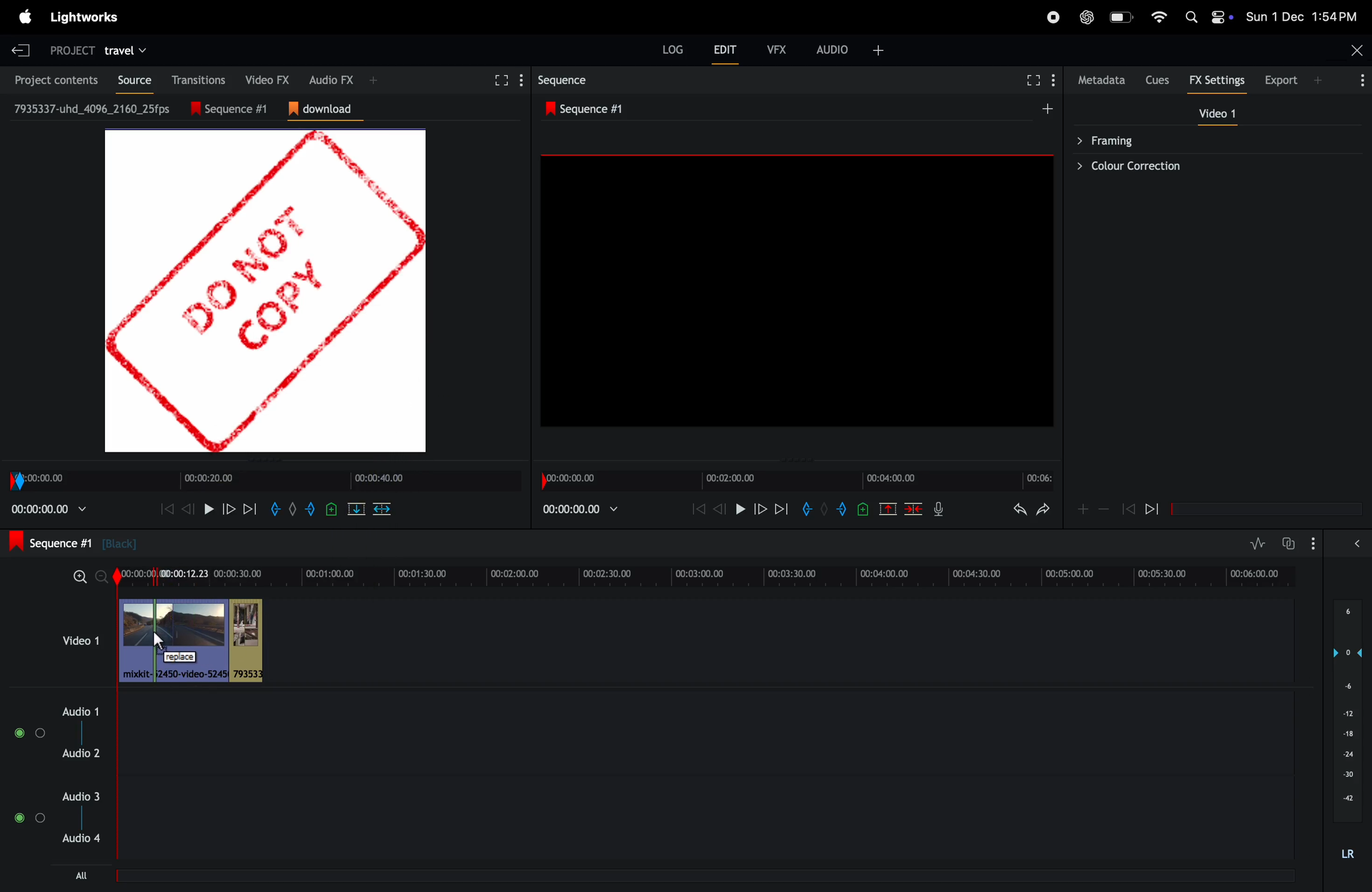  Describe the element at coordinates (84, 17) in the screenshot. I see `lightworks` at that location.